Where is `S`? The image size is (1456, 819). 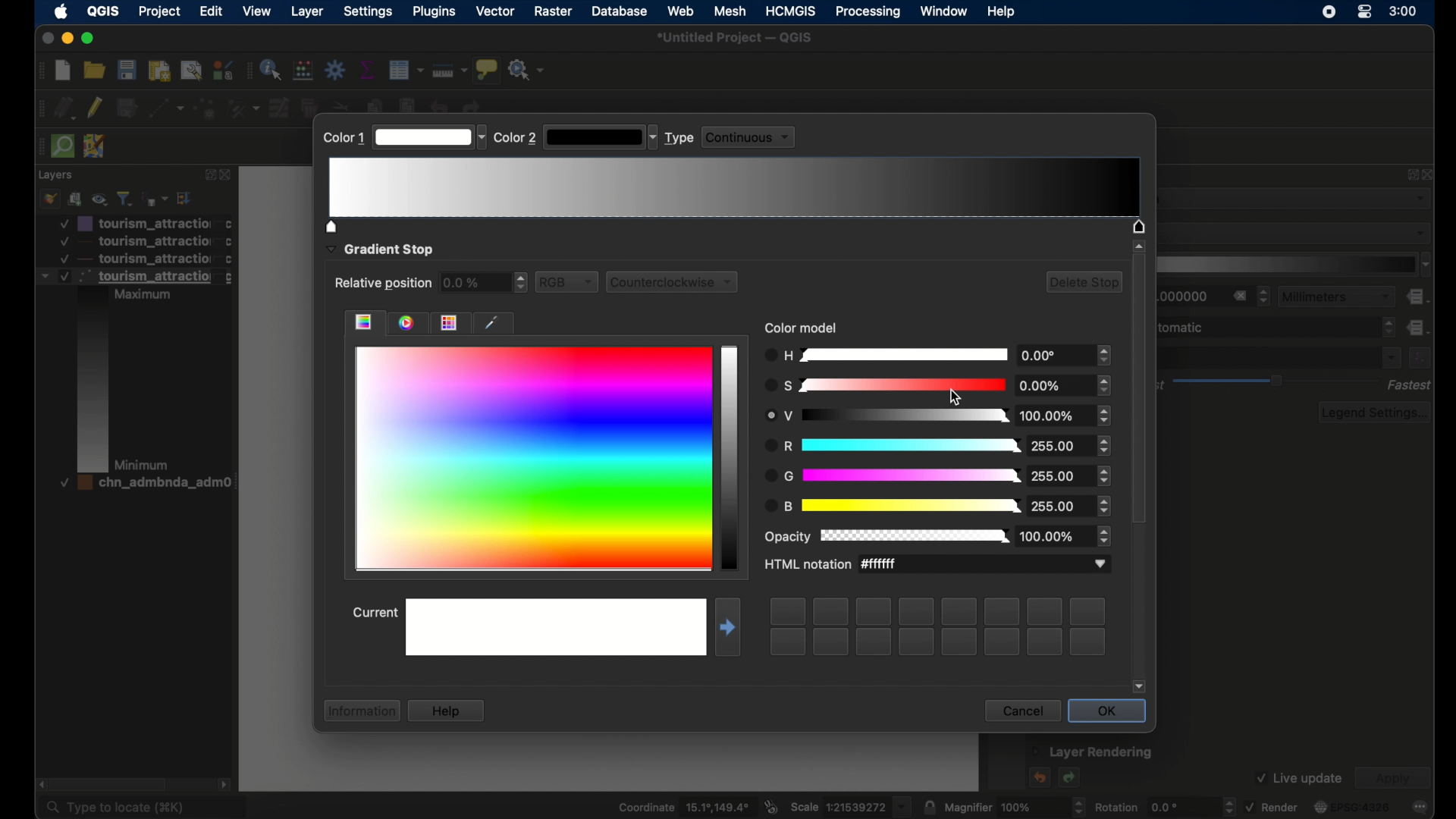
S is located at coordinates (938, 386).